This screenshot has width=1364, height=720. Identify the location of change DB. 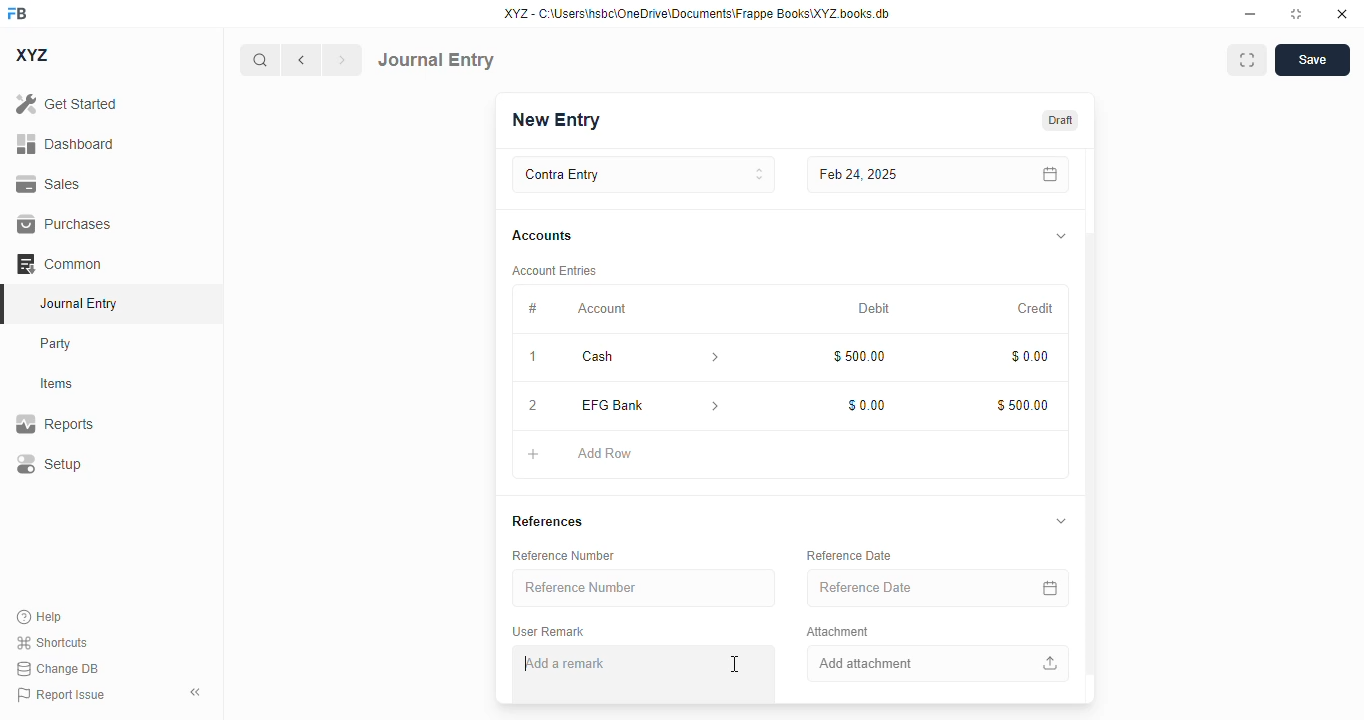
(57, 668).